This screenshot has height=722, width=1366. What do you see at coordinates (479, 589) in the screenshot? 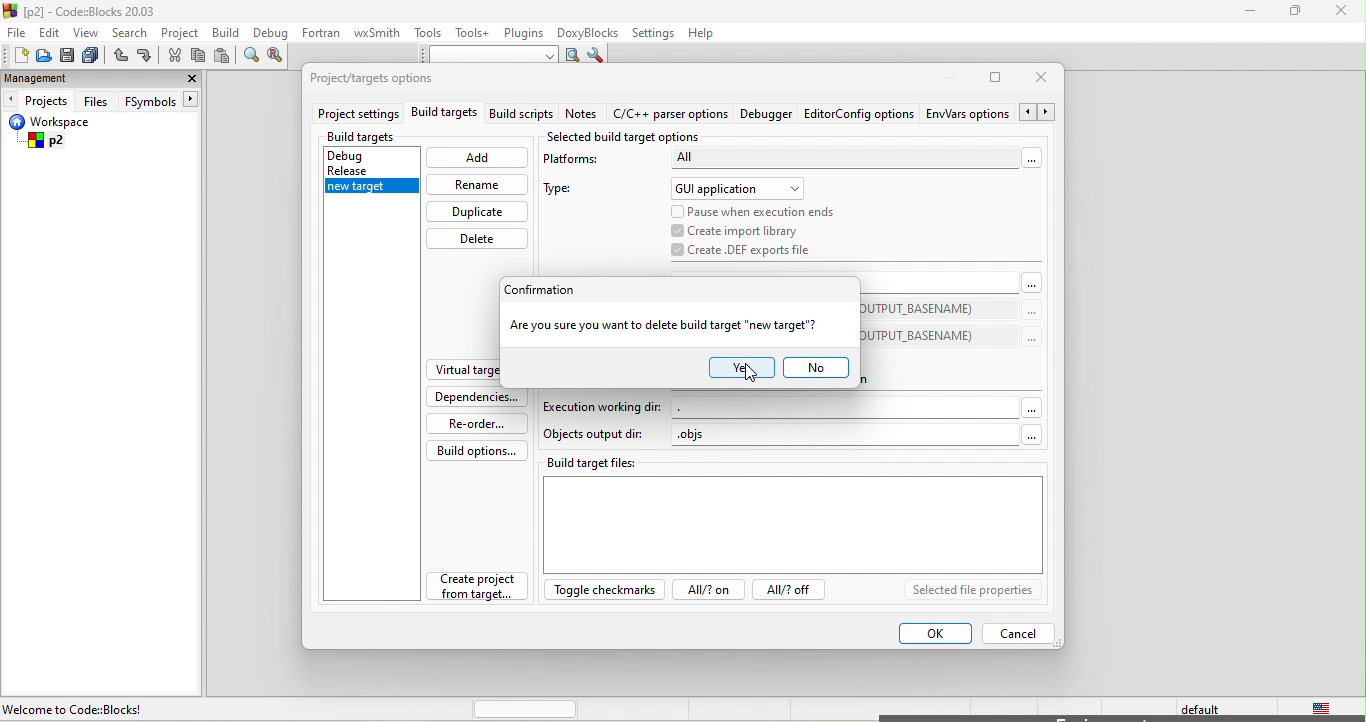
I see `create project from target` at bounding box center [479, 589].